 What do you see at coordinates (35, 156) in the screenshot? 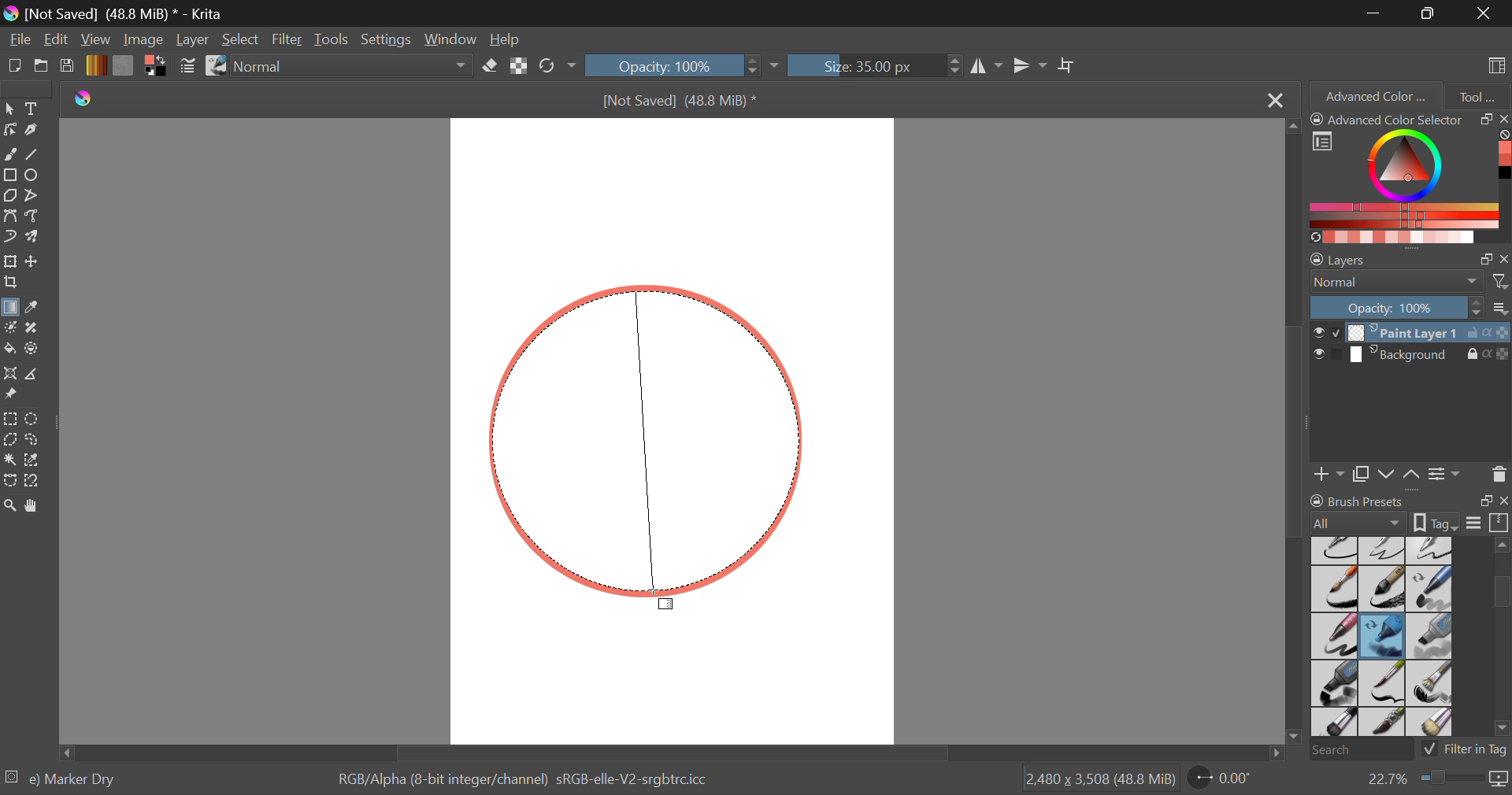
I see `Line` at bounding box center [35, 156].